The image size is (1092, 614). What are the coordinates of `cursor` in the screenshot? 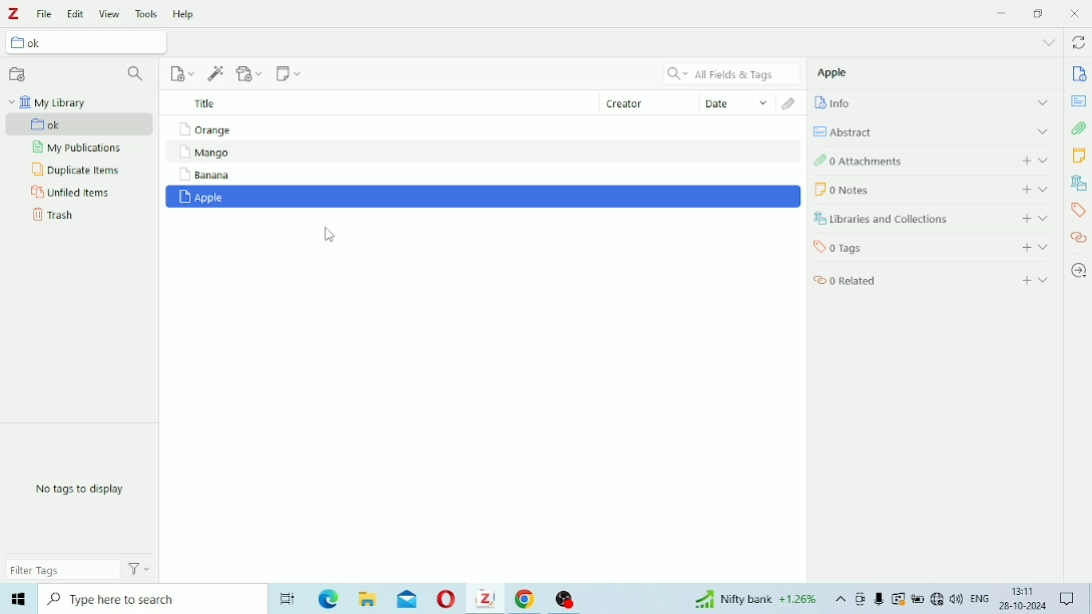 It's located at (326, 235).